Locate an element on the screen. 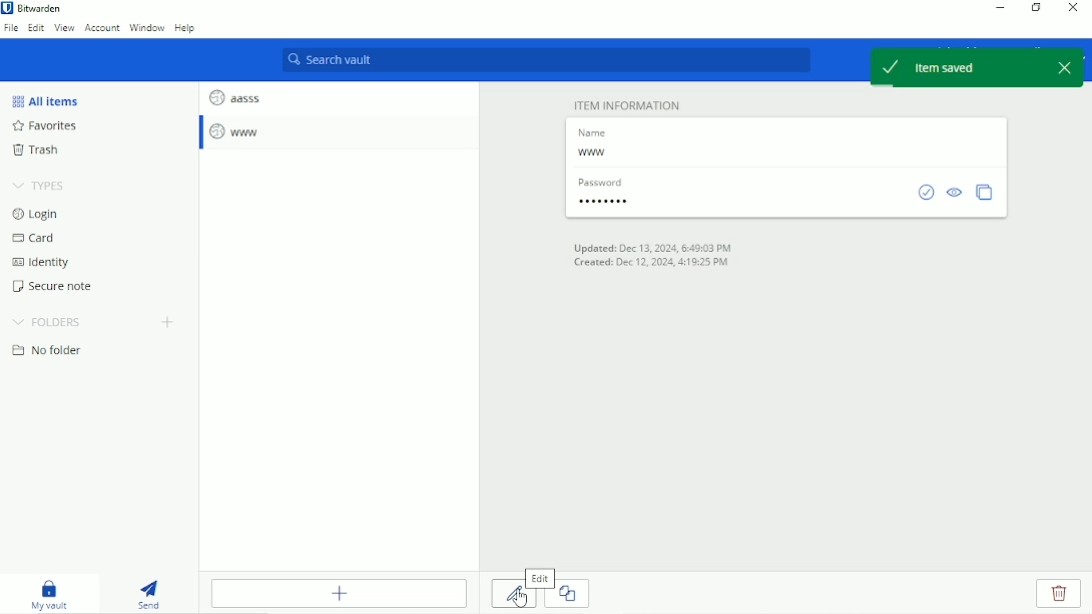 The image size is (1092, 614). Secure note is located at coordinates (57, 286).